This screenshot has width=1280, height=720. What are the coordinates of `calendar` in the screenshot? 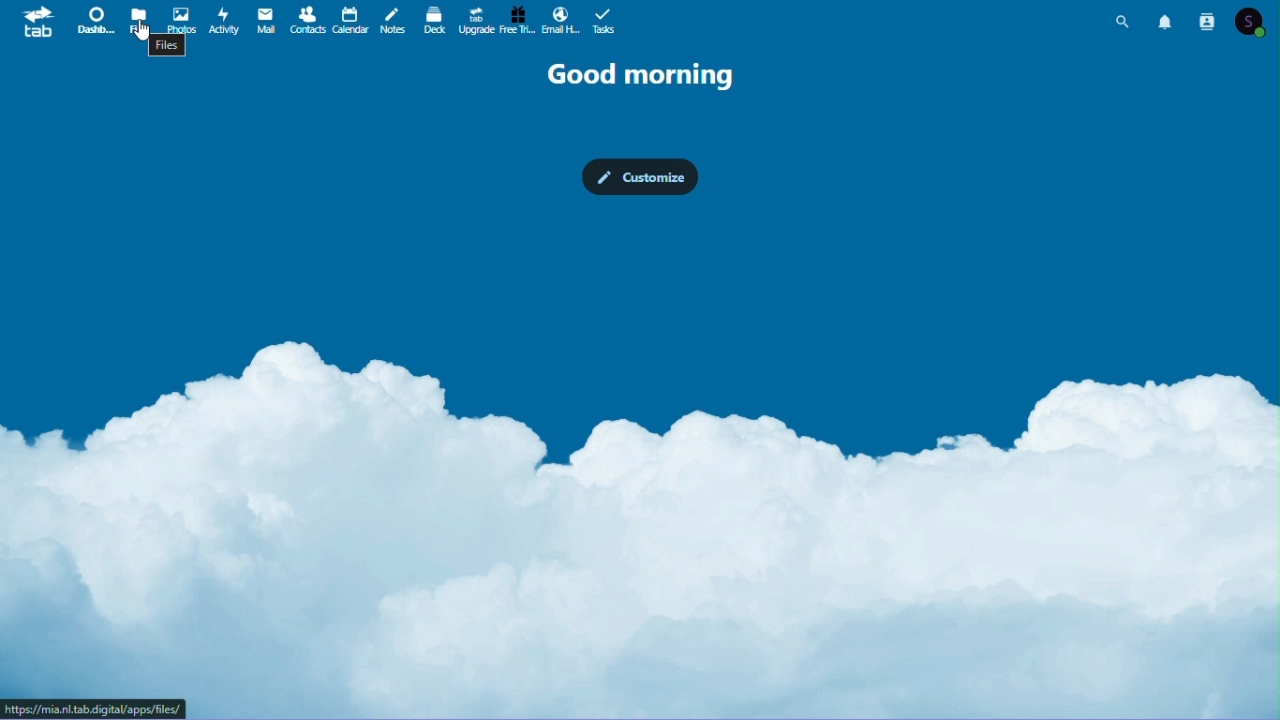 It's located at (345, 19).